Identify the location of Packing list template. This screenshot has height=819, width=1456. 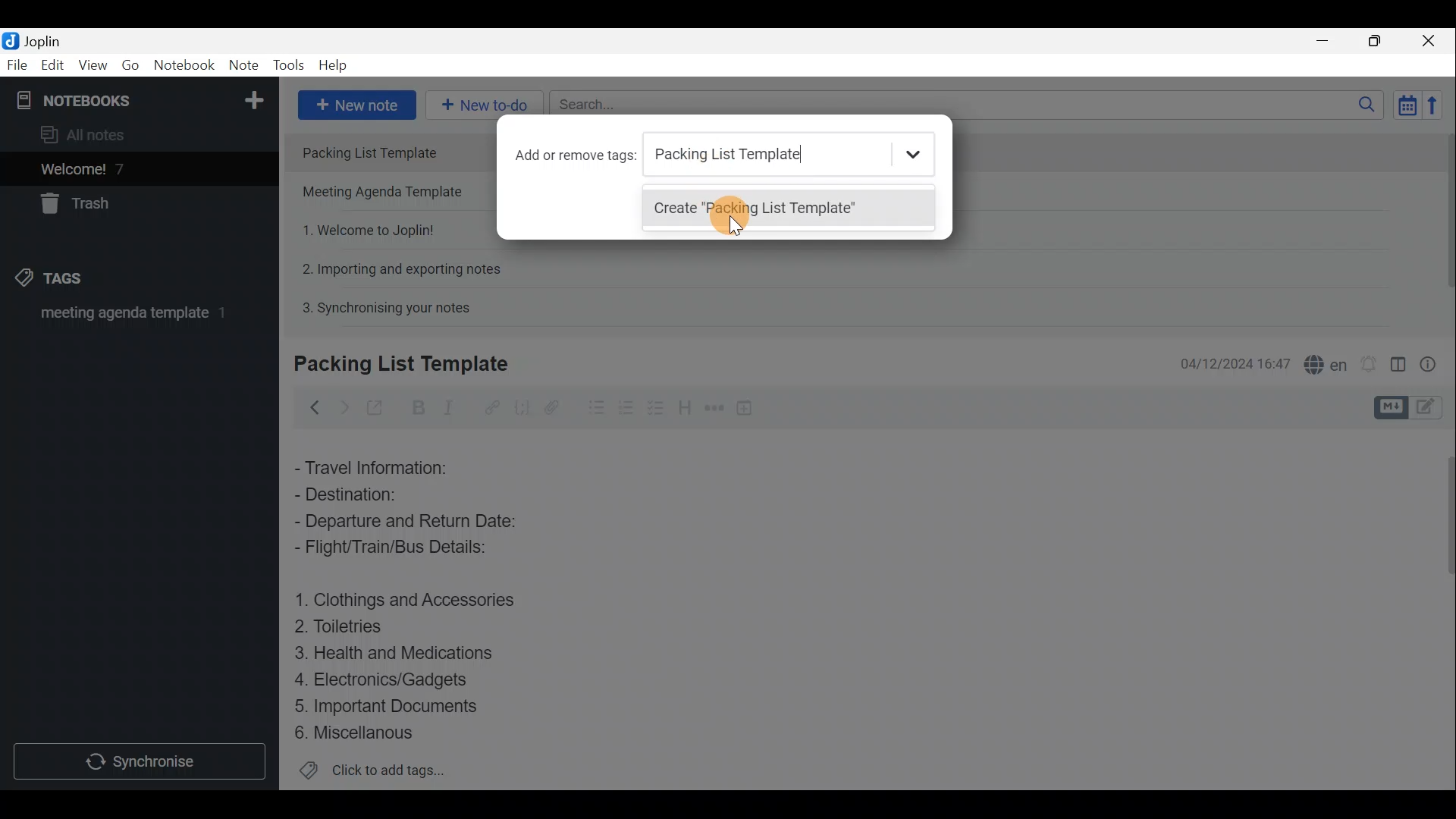
(756, 155).